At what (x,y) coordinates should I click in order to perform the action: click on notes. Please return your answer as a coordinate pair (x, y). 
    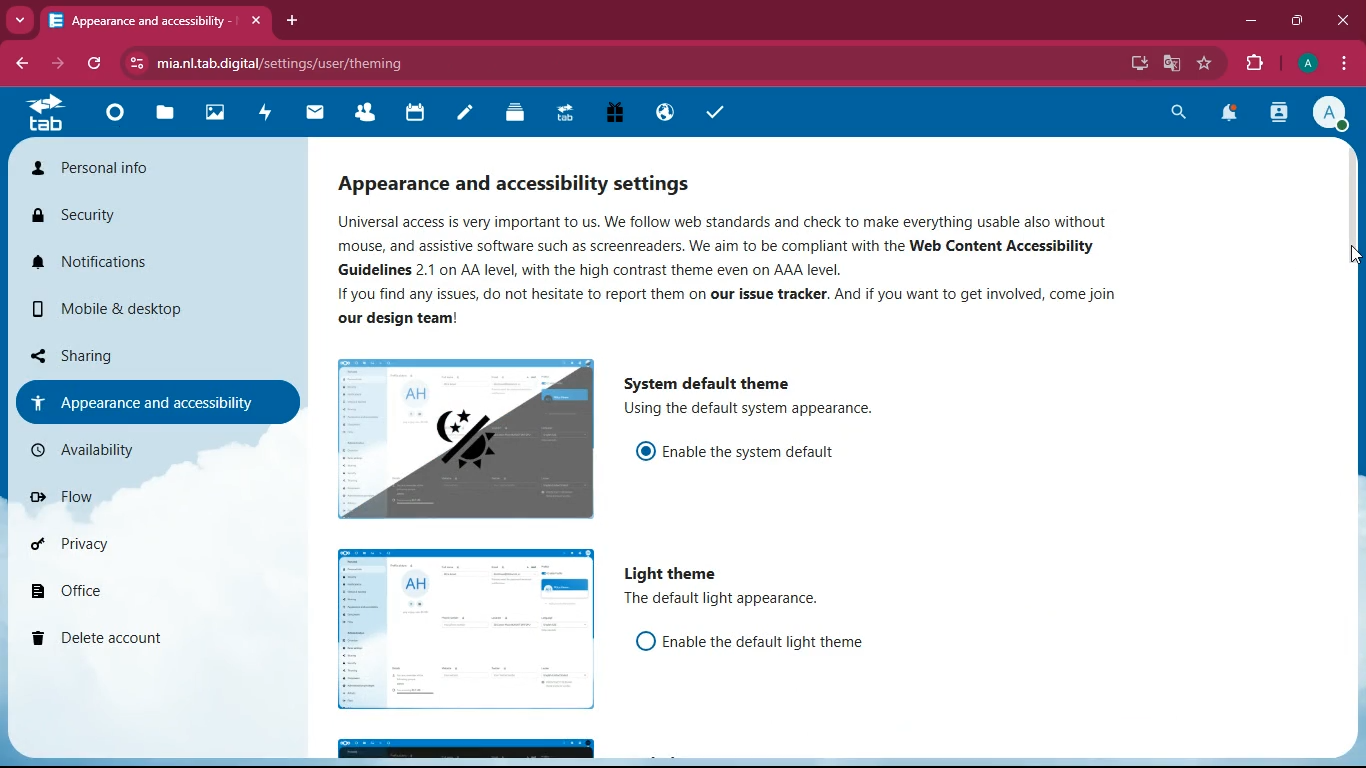
    Looking at the image, I should click on (470, 113).